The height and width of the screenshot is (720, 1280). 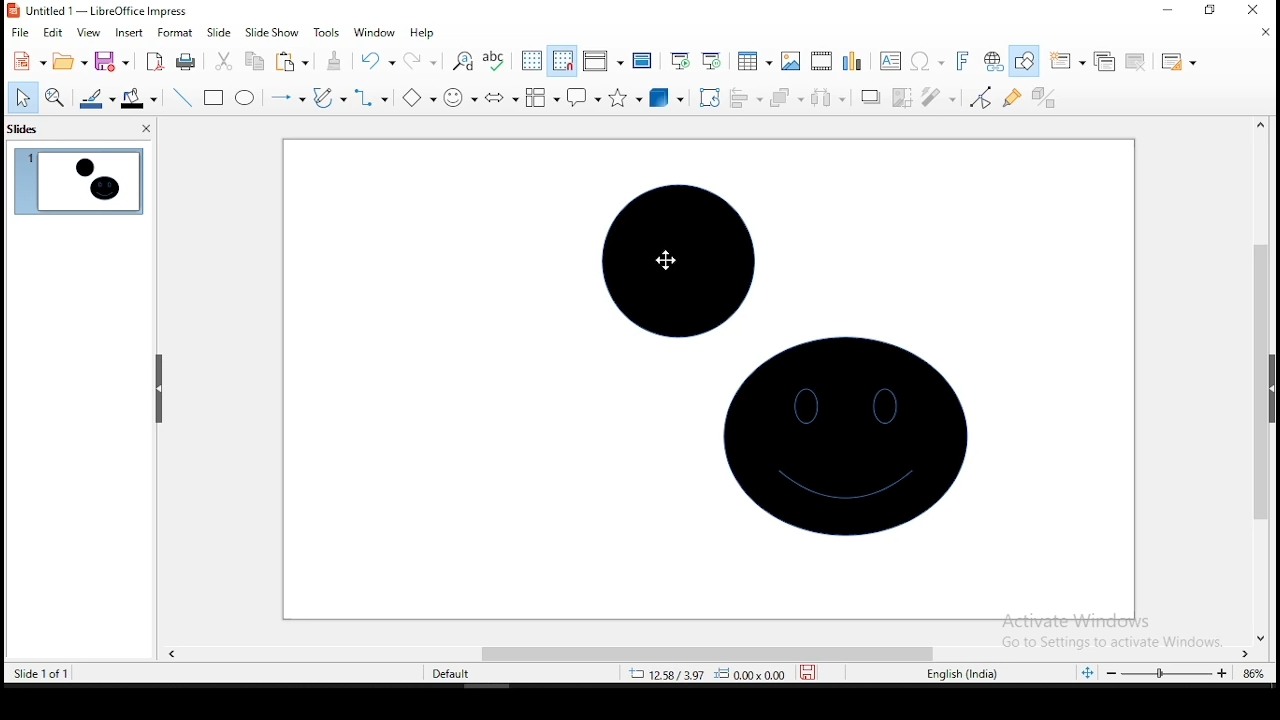 What do you see at coordinates (788, 62) in the screenshot?
I see `insert image` at bounding box center [788, 62].